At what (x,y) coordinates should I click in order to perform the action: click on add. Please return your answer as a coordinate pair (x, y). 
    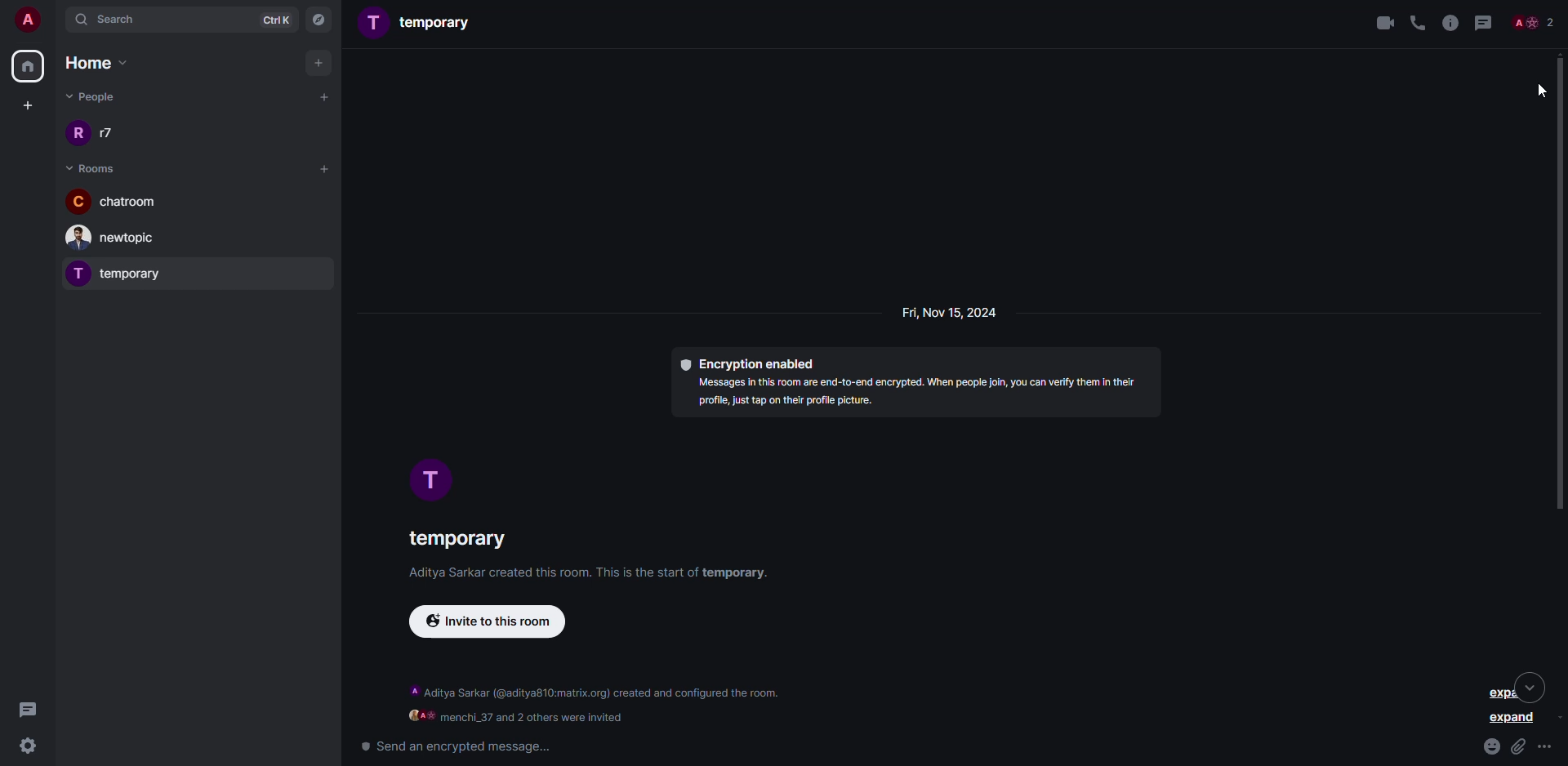
    Looking at the image, I should click on (324, 96).